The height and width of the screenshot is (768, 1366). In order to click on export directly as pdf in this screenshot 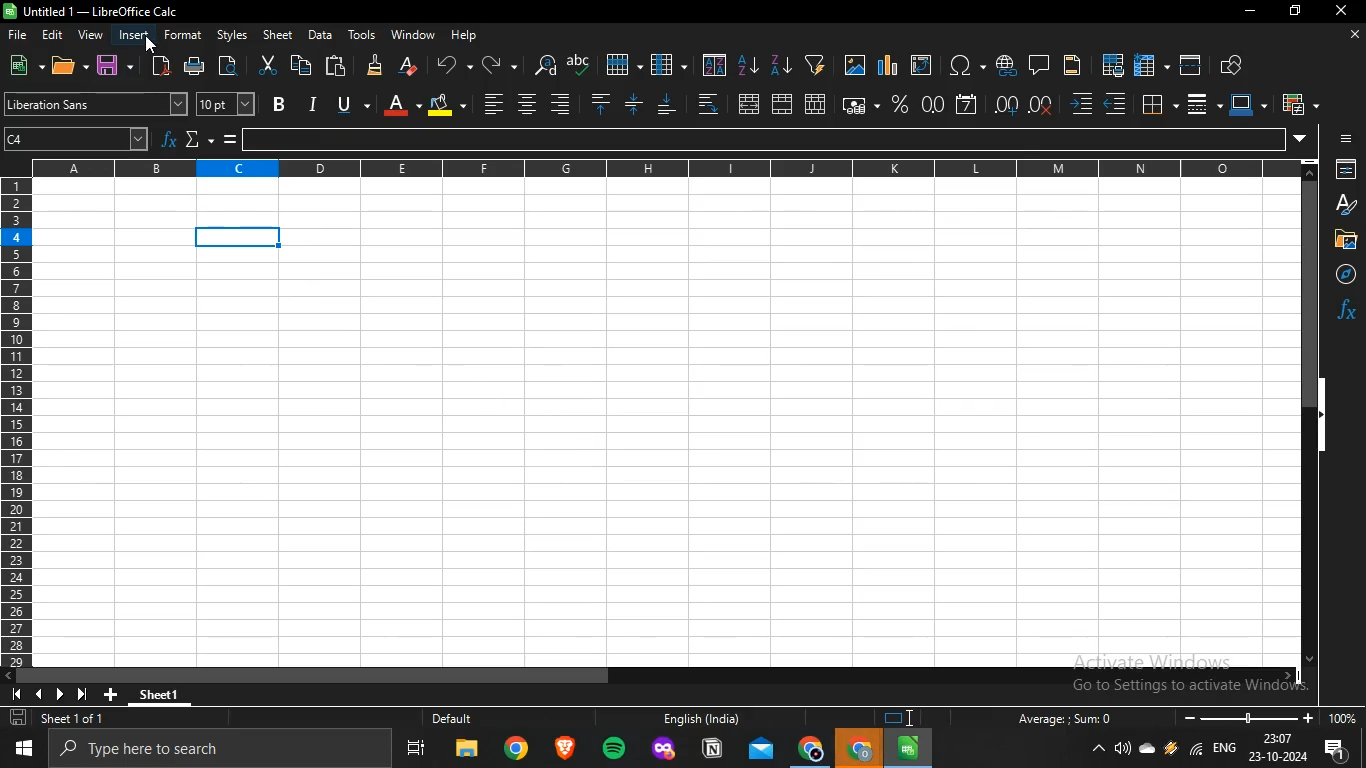, I will do `click(158, 65)`.